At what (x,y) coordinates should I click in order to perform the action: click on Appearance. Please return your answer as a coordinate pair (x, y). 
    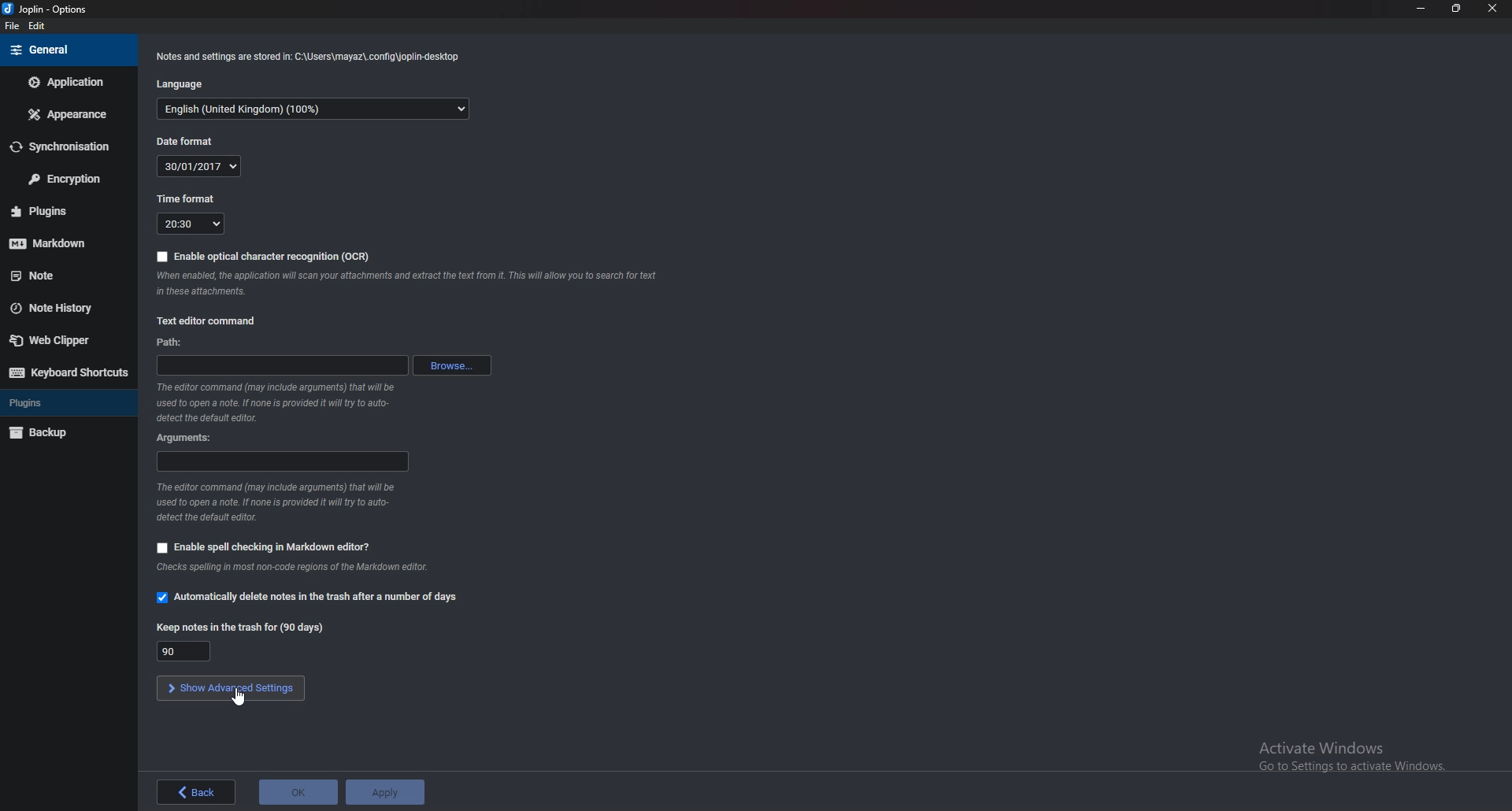
    Looking at the image, I should click on (65, 115).